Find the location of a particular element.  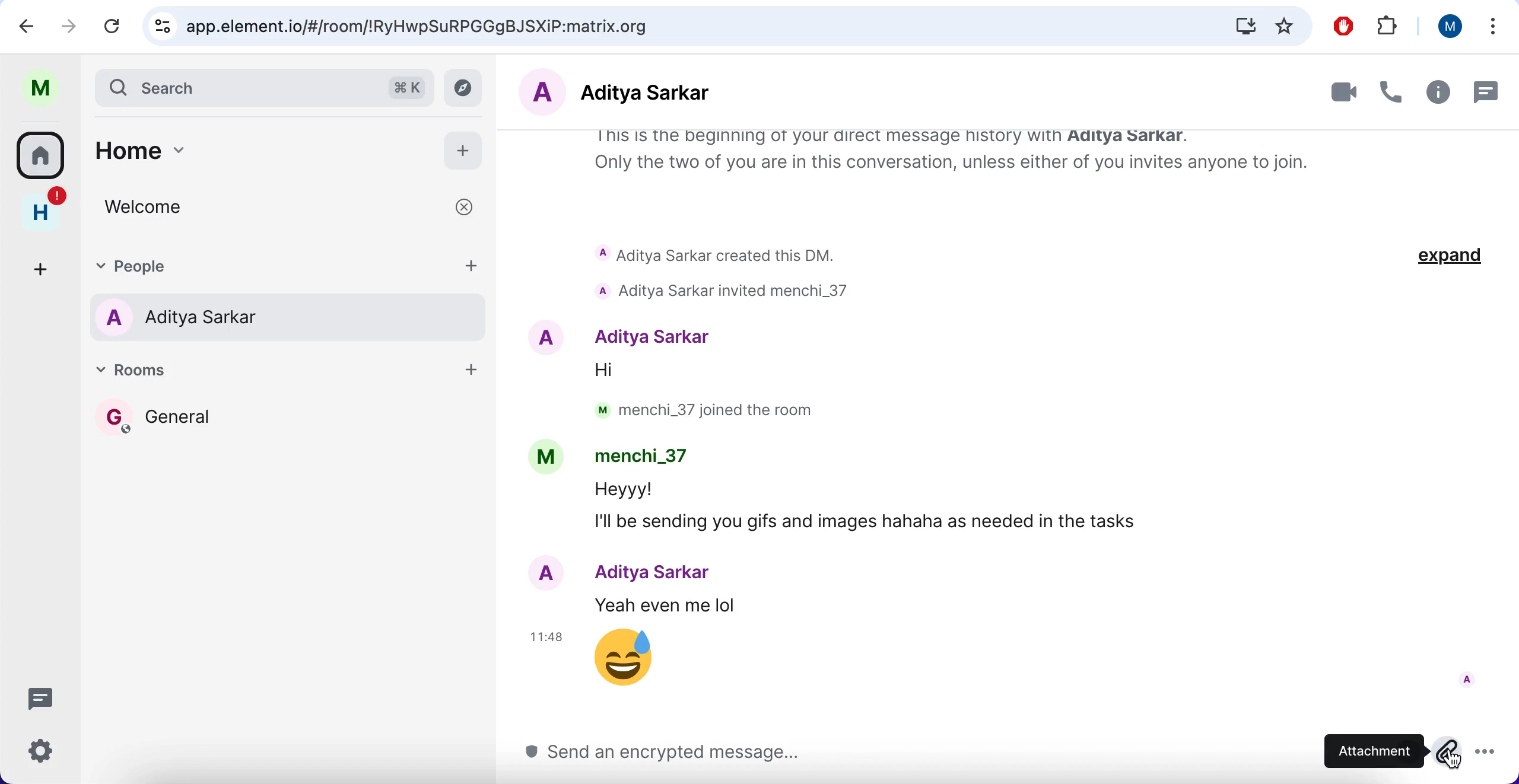

quick settings is located at coordinates (40, 757).